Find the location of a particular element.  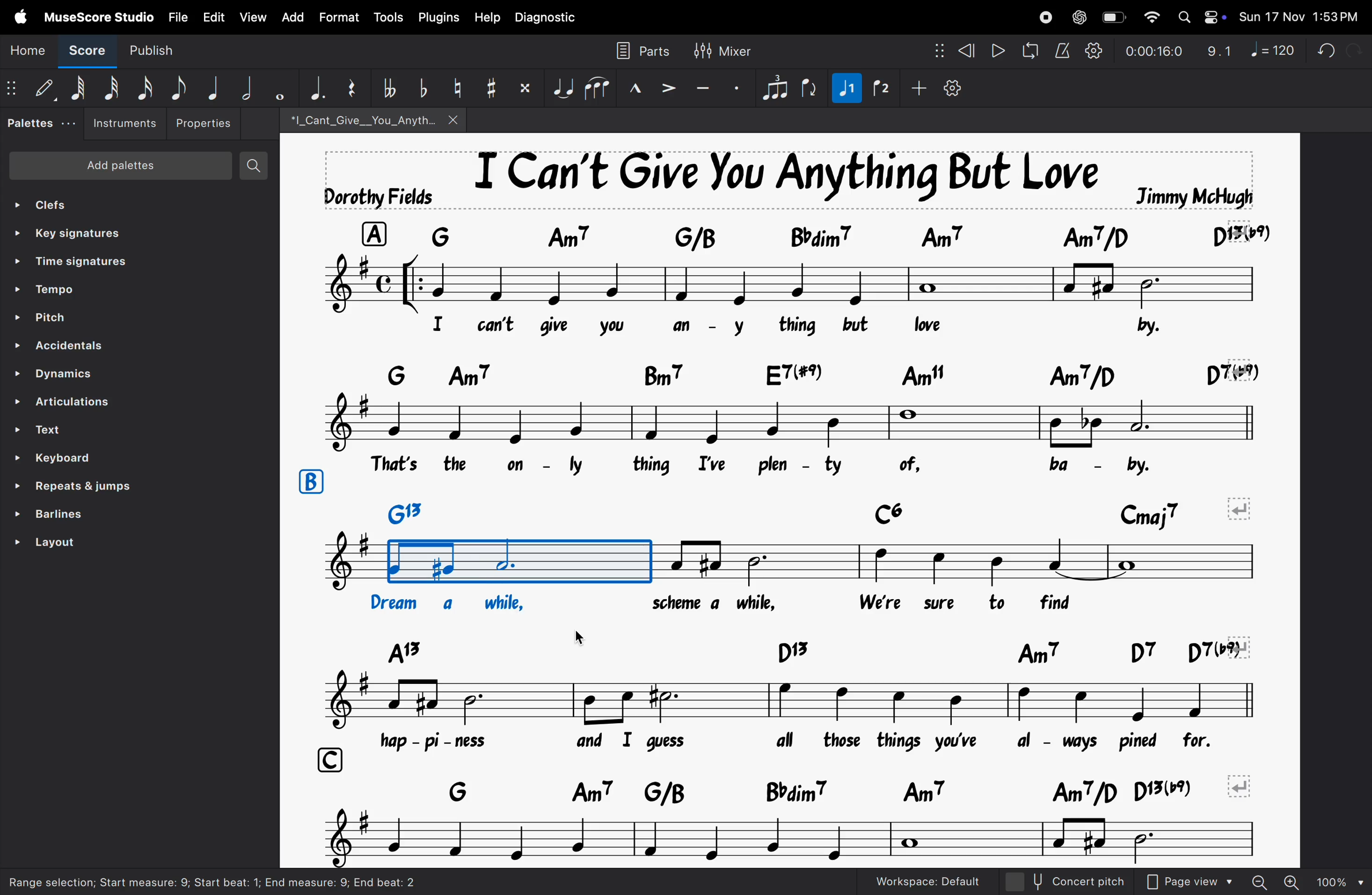

toggle sharp is located at coordinates (489, 88).